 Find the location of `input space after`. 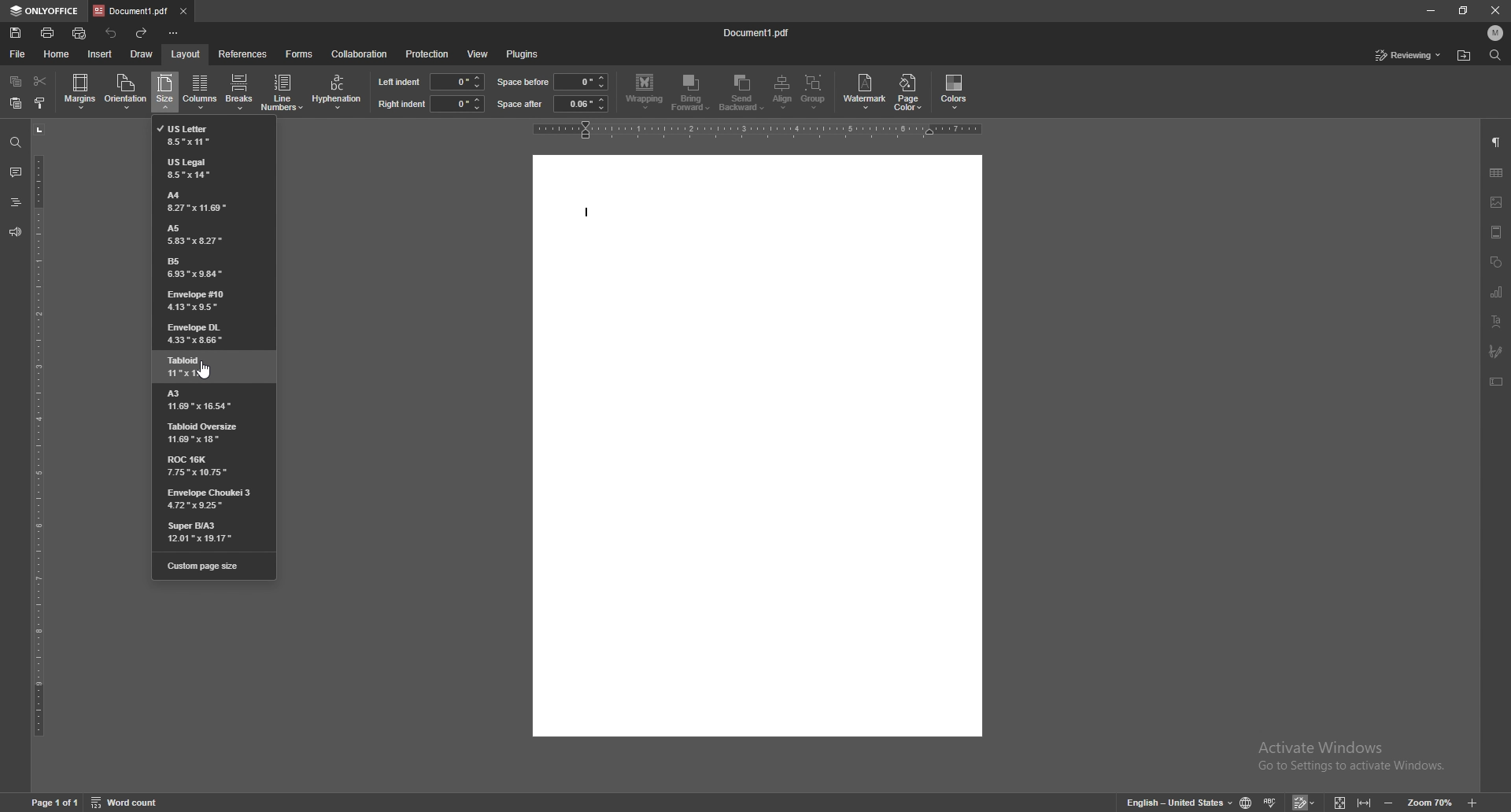

input space after is located at coordinates (581, 104).